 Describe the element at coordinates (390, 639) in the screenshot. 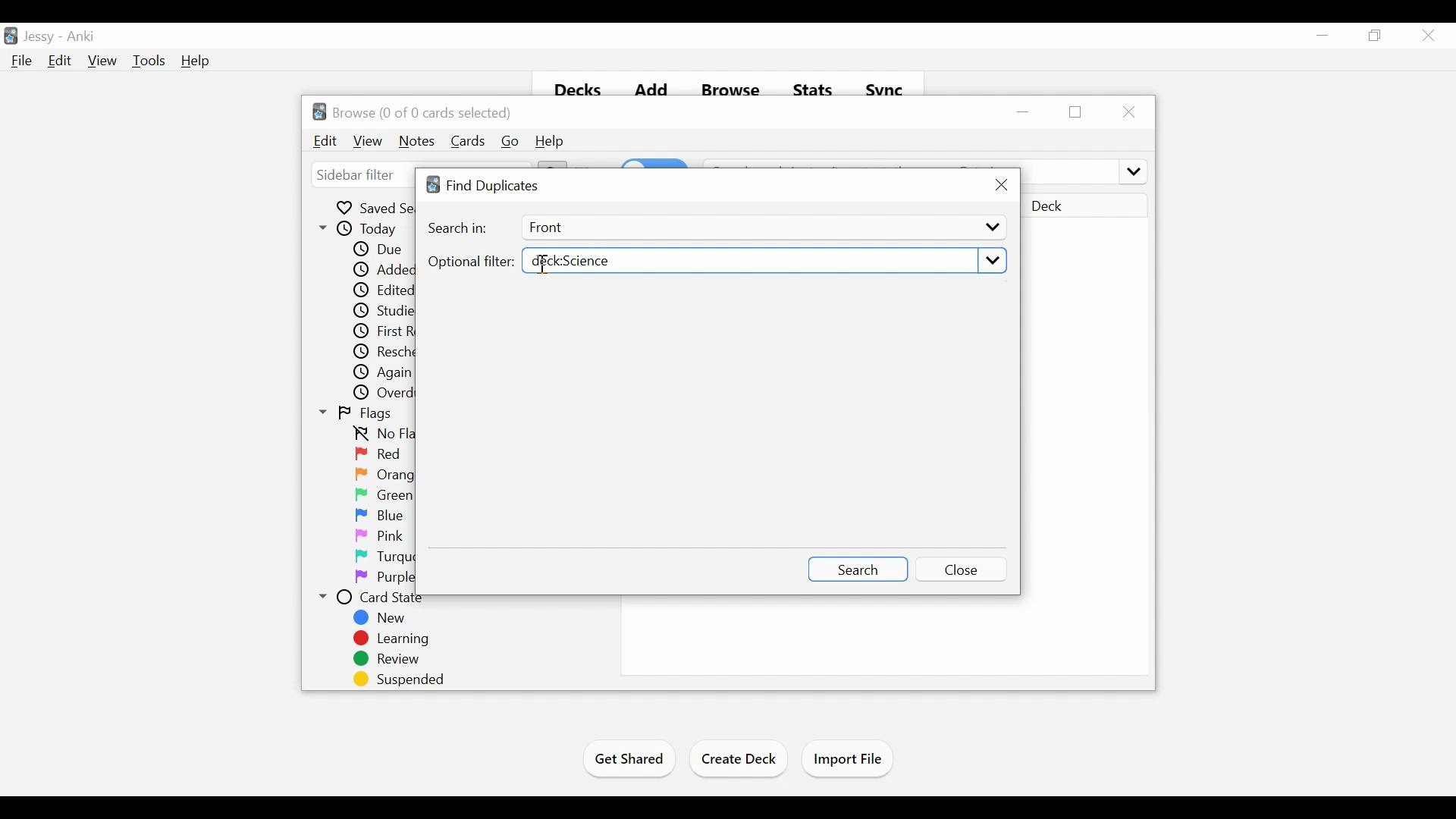

I see `Learning` at that location.